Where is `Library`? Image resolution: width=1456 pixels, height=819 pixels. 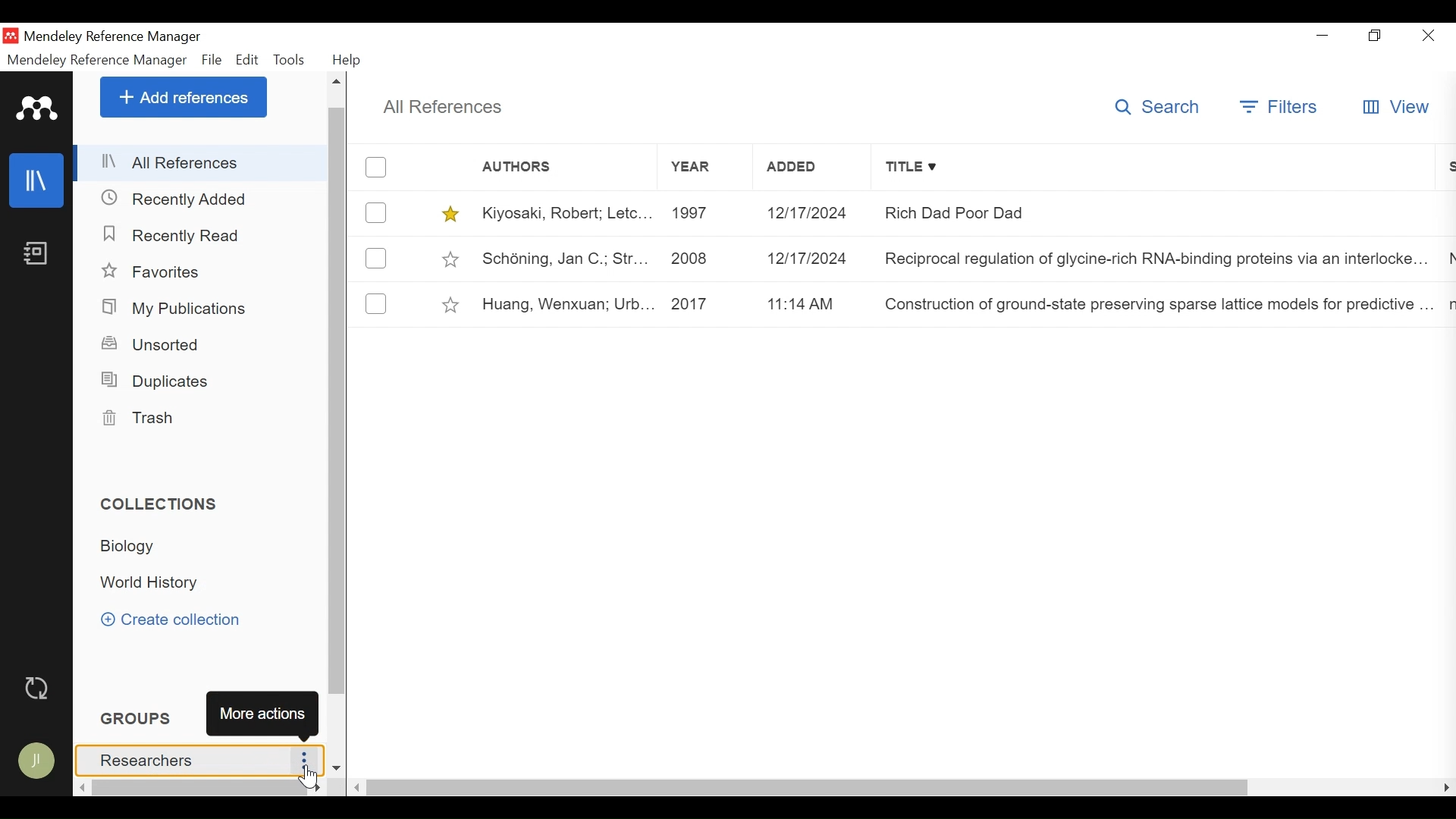
Library is located at coordinates (37, 181).